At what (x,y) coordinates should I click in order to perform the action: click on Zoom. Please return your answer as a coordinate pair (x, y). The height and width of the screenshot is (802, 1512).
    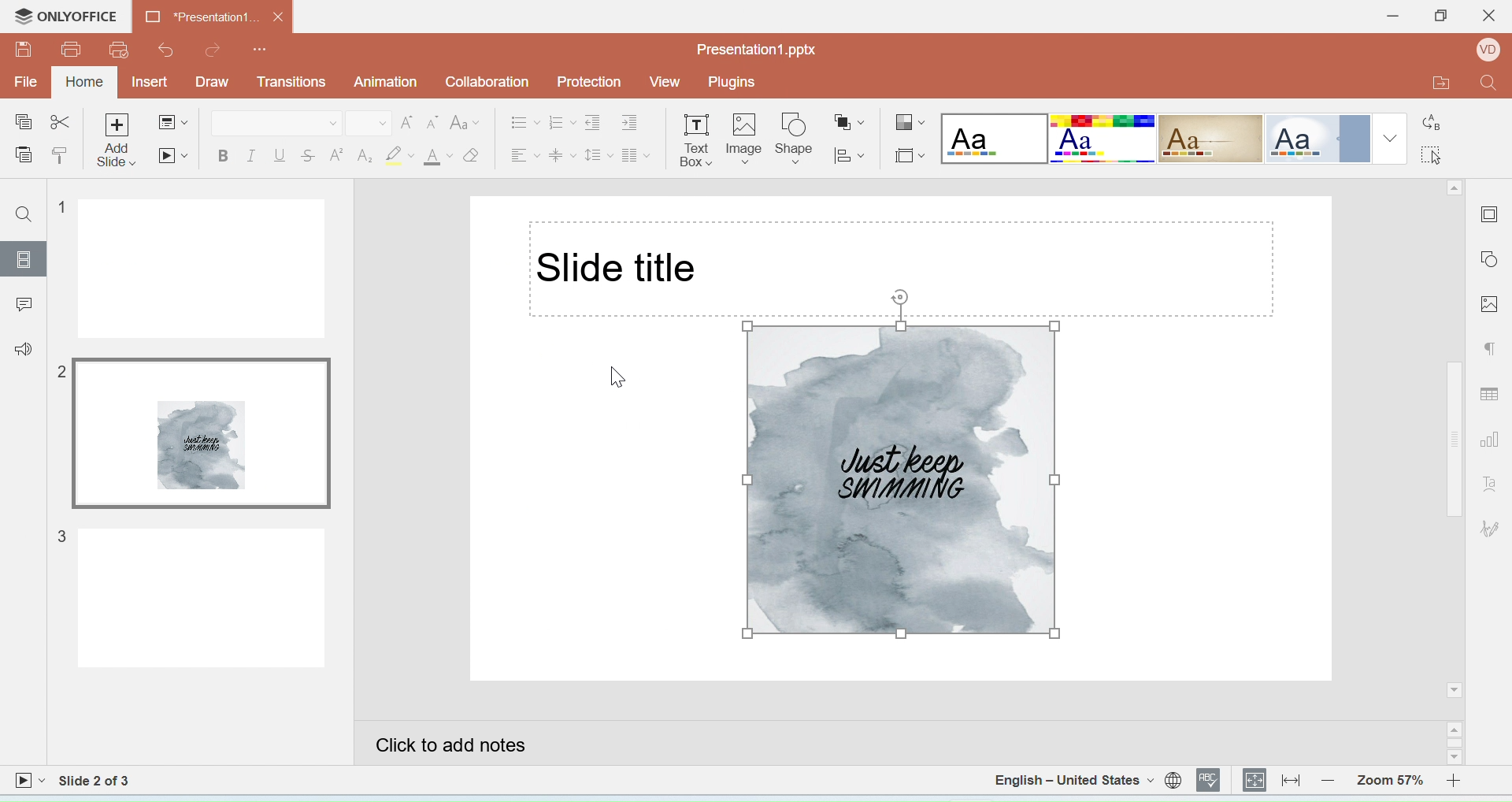
    Looking at the image, I should click on (1390, 778).